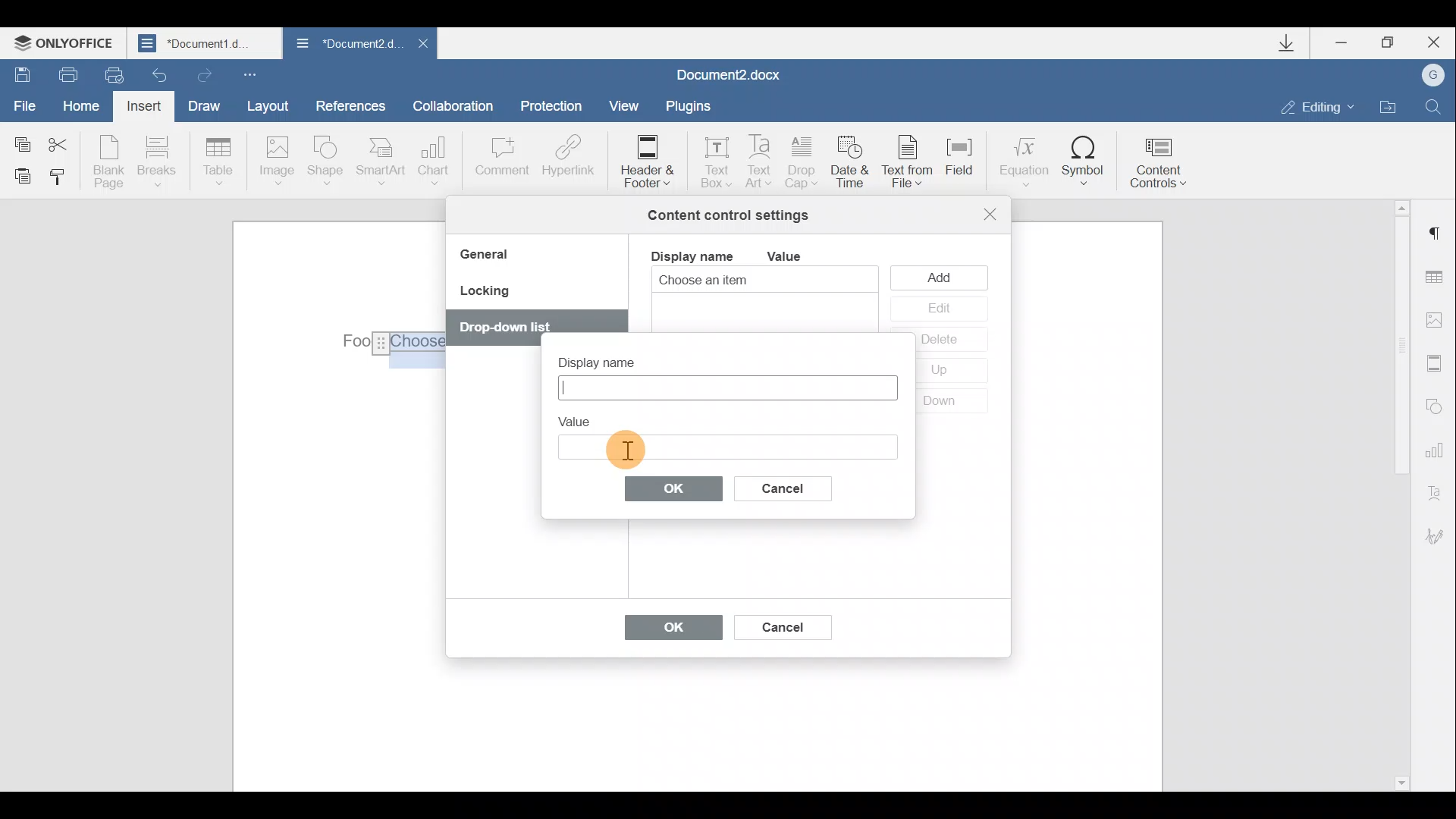 This screenshot has width=1456, height=819. I want to click on Cancel, so click(795, 485).